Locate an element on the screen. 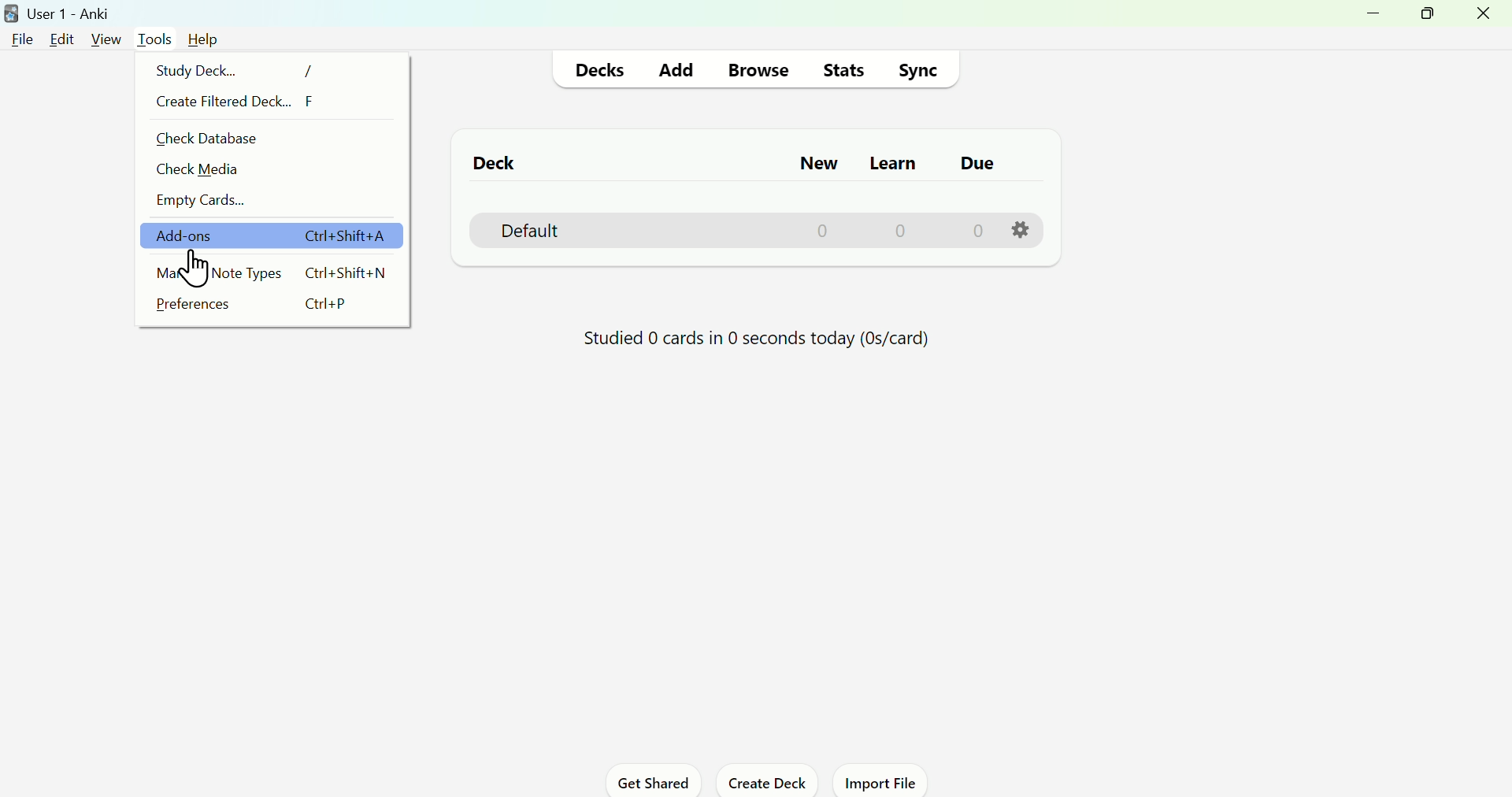 Image resolution: width=1512 pixels, height=797 pixels. Create Filtered Deck is located at coordinates (254, 102).